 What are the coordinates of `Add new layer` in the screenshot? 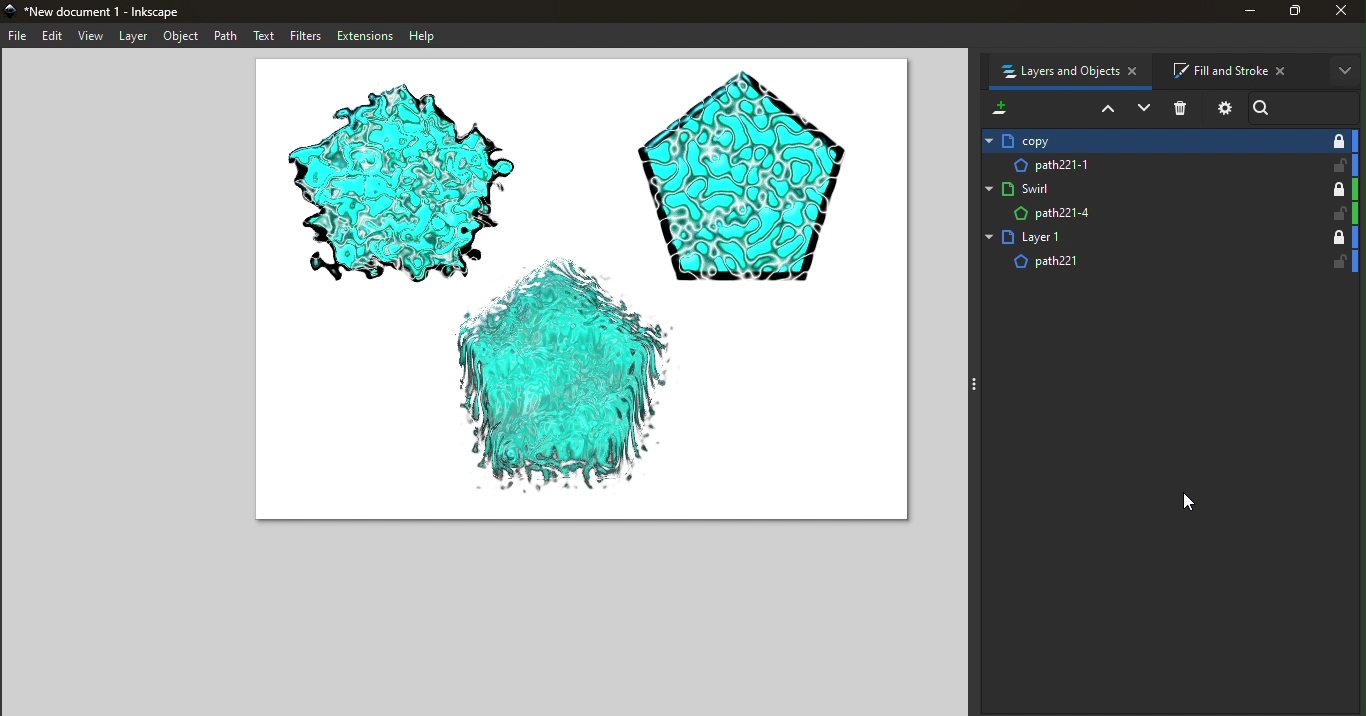 It's located at (998, 107).